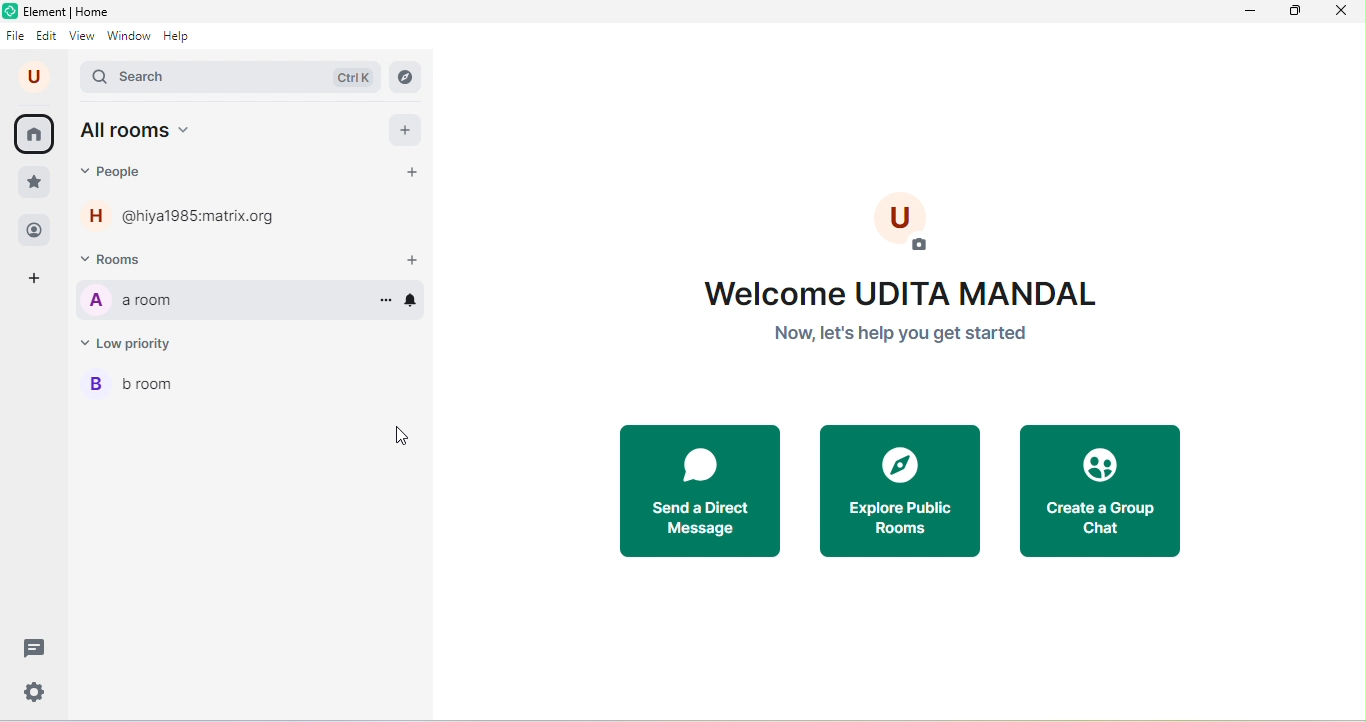 Image resolution: width=1366 pixels, height=722 pixels. Describe the element at coordinates (129, 36) in the screenshot. I see `window` at that location.